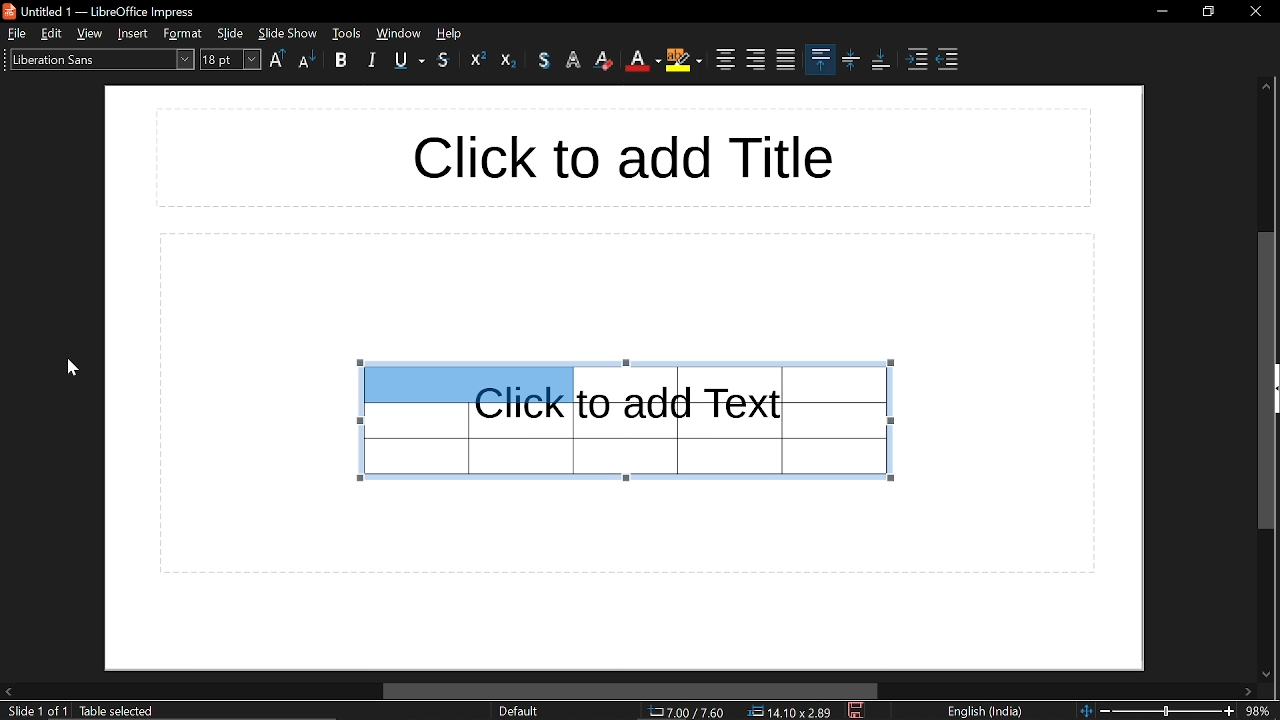  What do you see at coordinates (104, 10) in the screenshot?
I see `untitled 1- libreoffice impress` at bounding box center [104, 10].